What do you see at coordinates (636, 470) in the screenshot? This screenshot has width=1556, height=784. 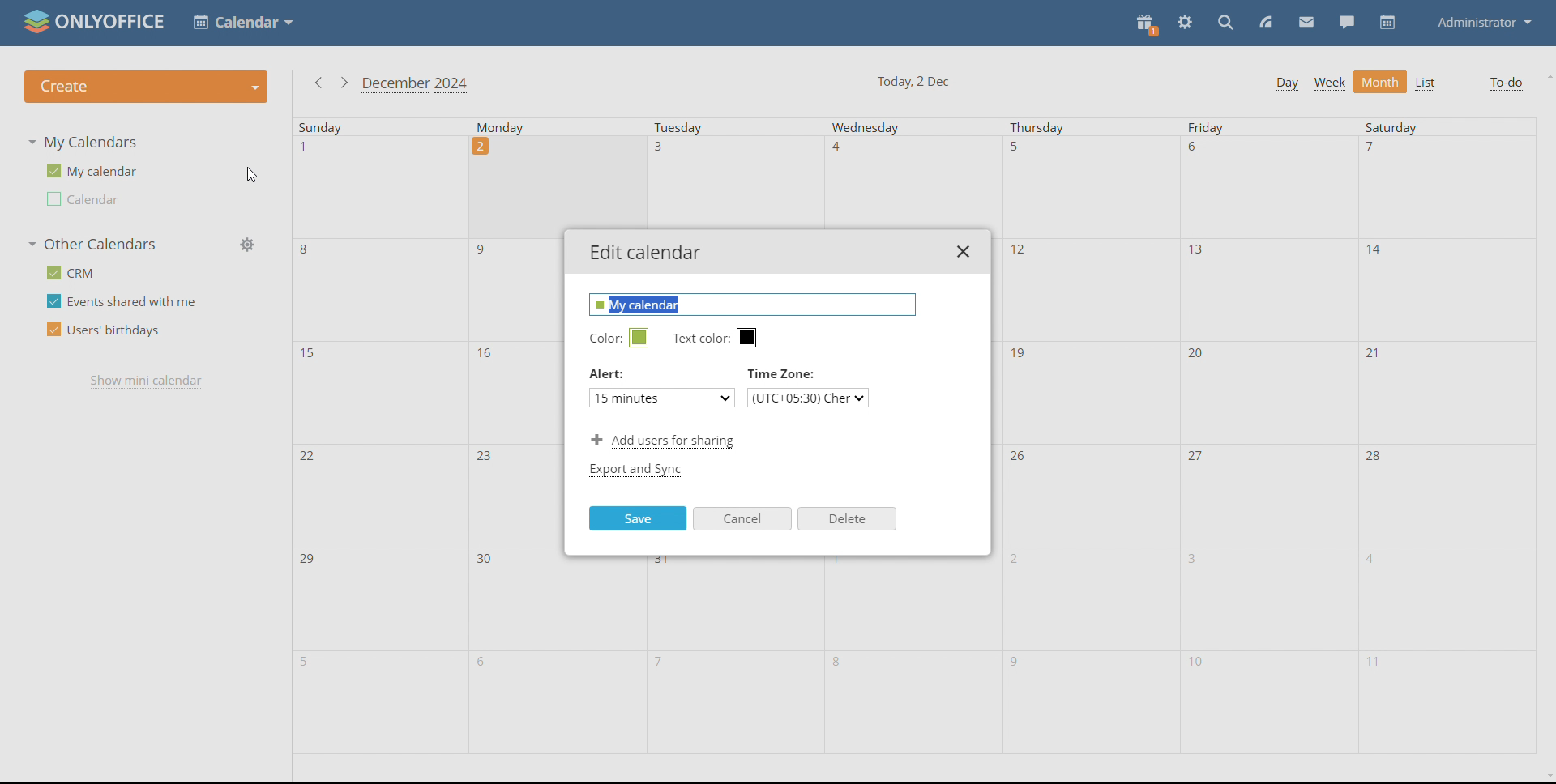 I see `export and sync` at bounding box center [636, 470].